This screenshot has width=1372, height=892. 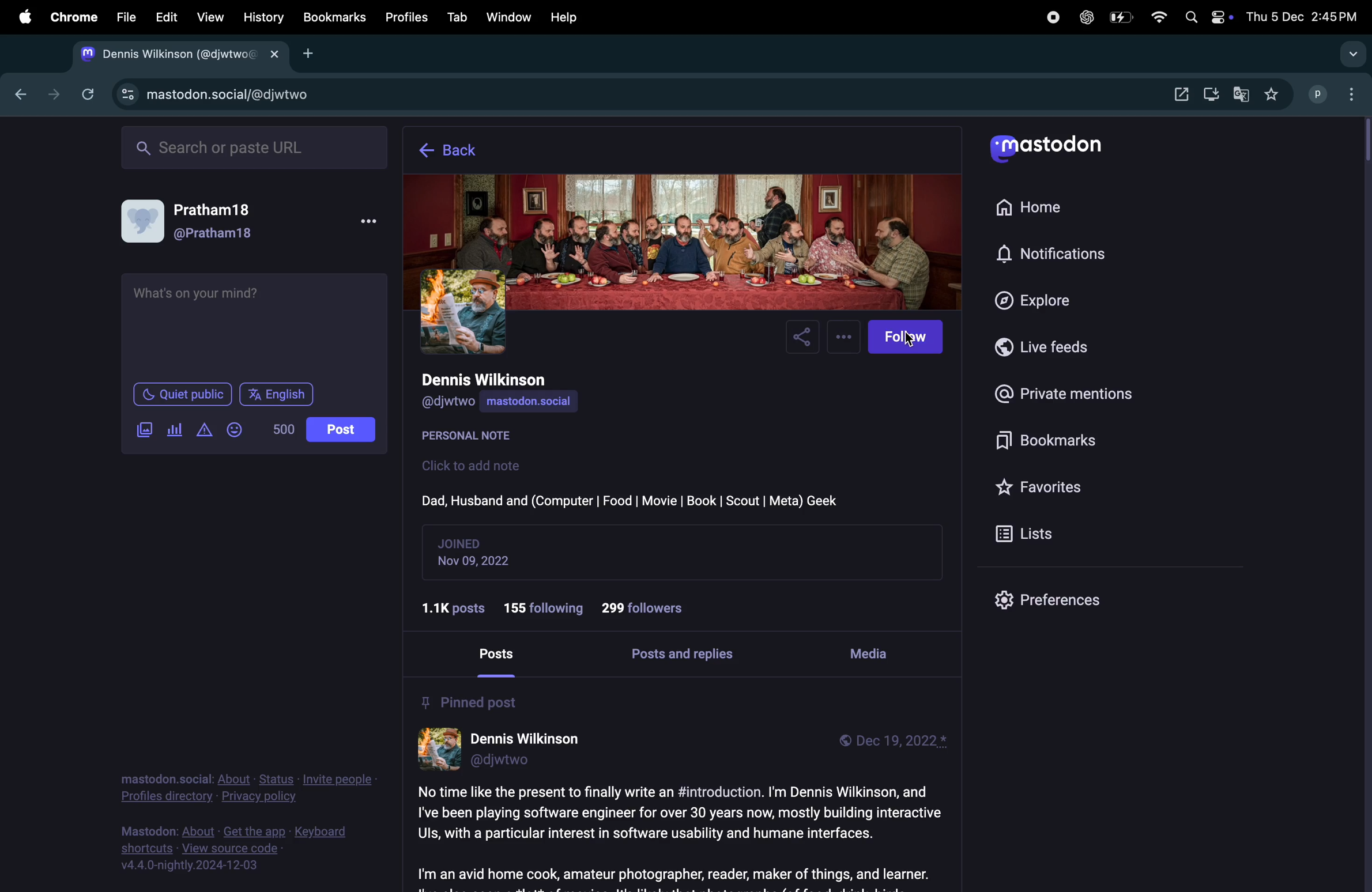 I want to click on 299 followers, so click(x=648, y=608).